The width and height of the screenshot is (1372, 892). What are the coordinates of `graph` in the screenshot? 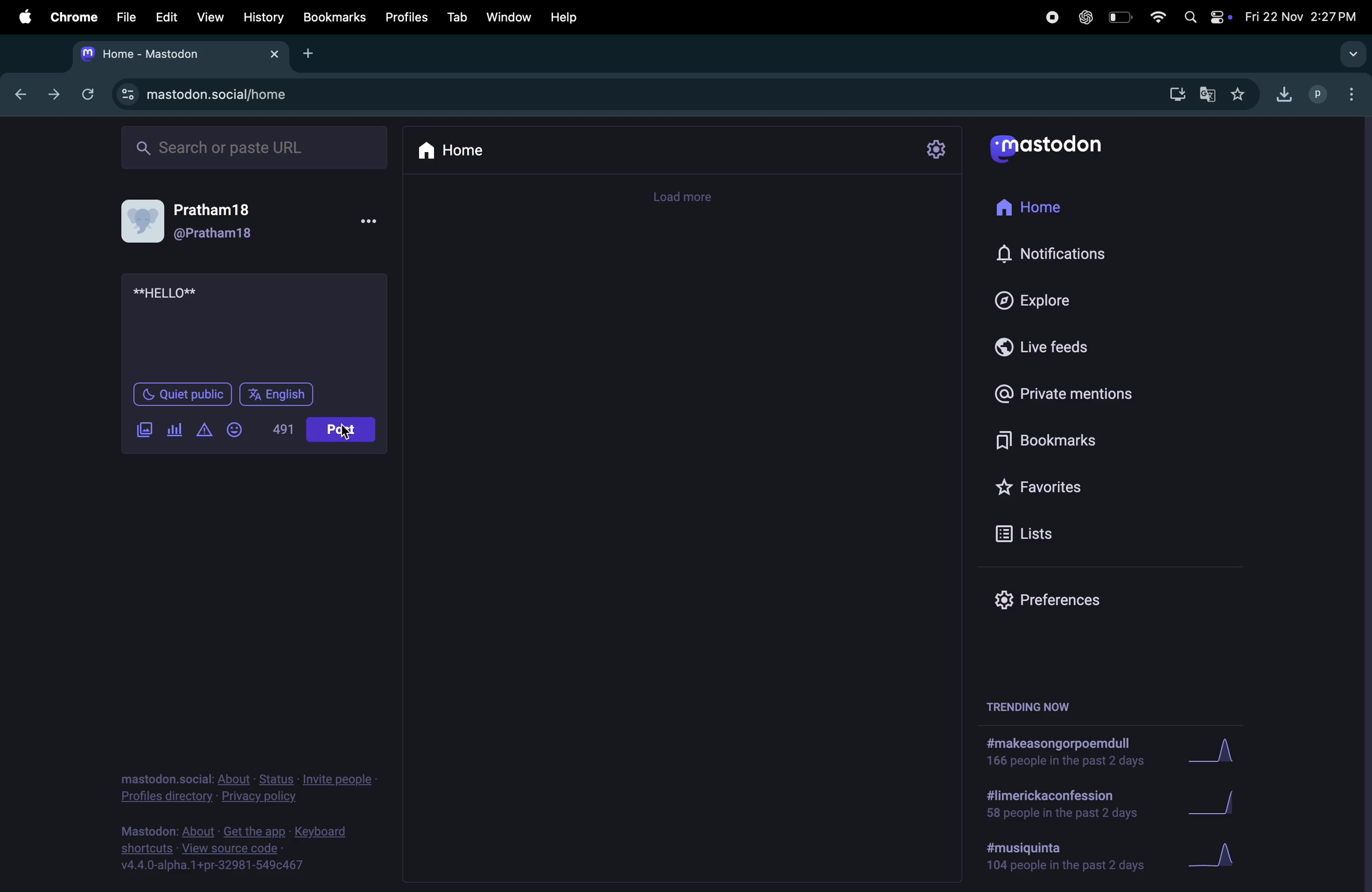 It's located at (1220, 856).